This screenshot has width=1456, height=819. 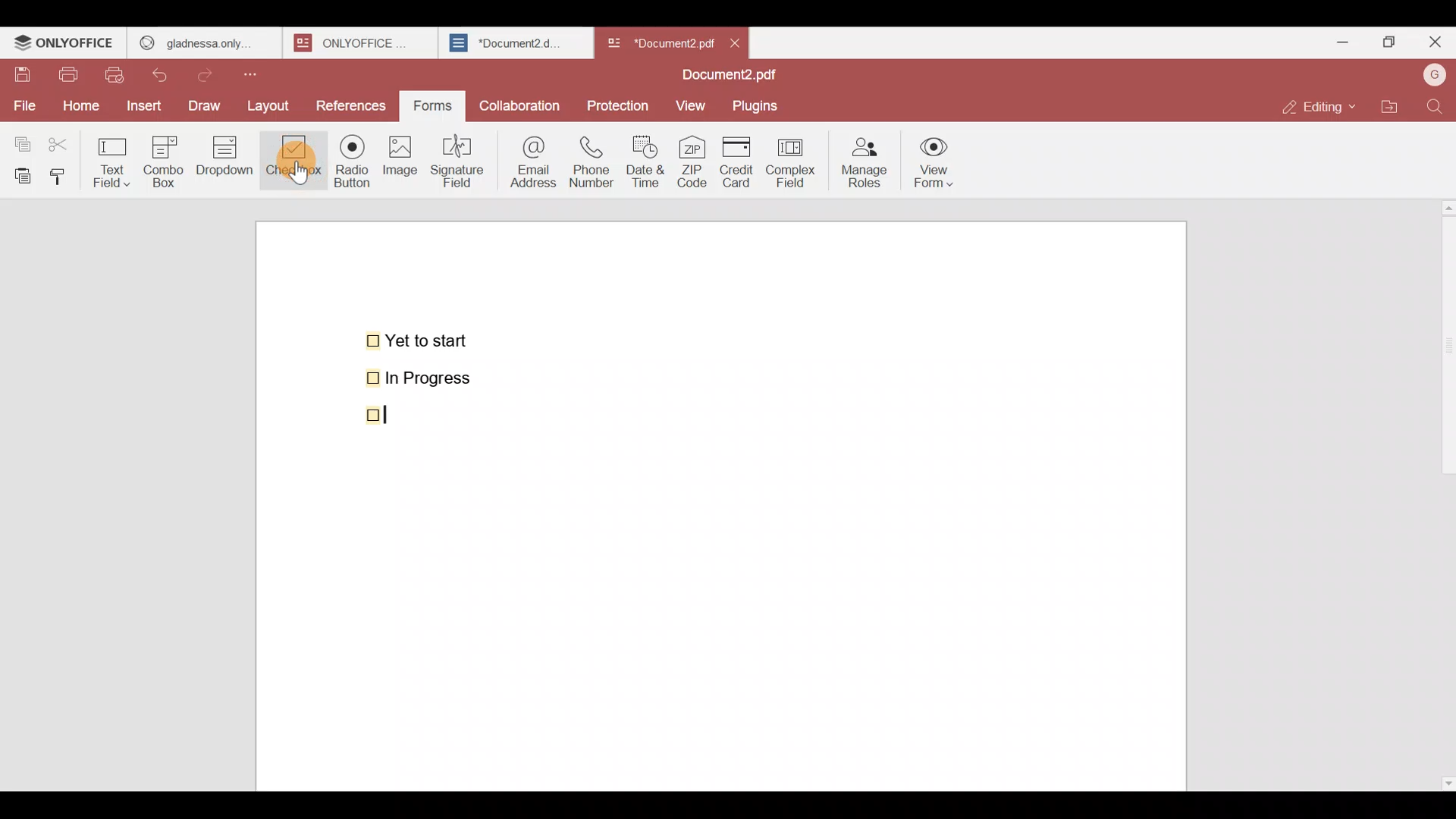 What do you see at coordinates (692, 163) in the screenshot?
I see `ZIP code` at bounding box center [692, 163].